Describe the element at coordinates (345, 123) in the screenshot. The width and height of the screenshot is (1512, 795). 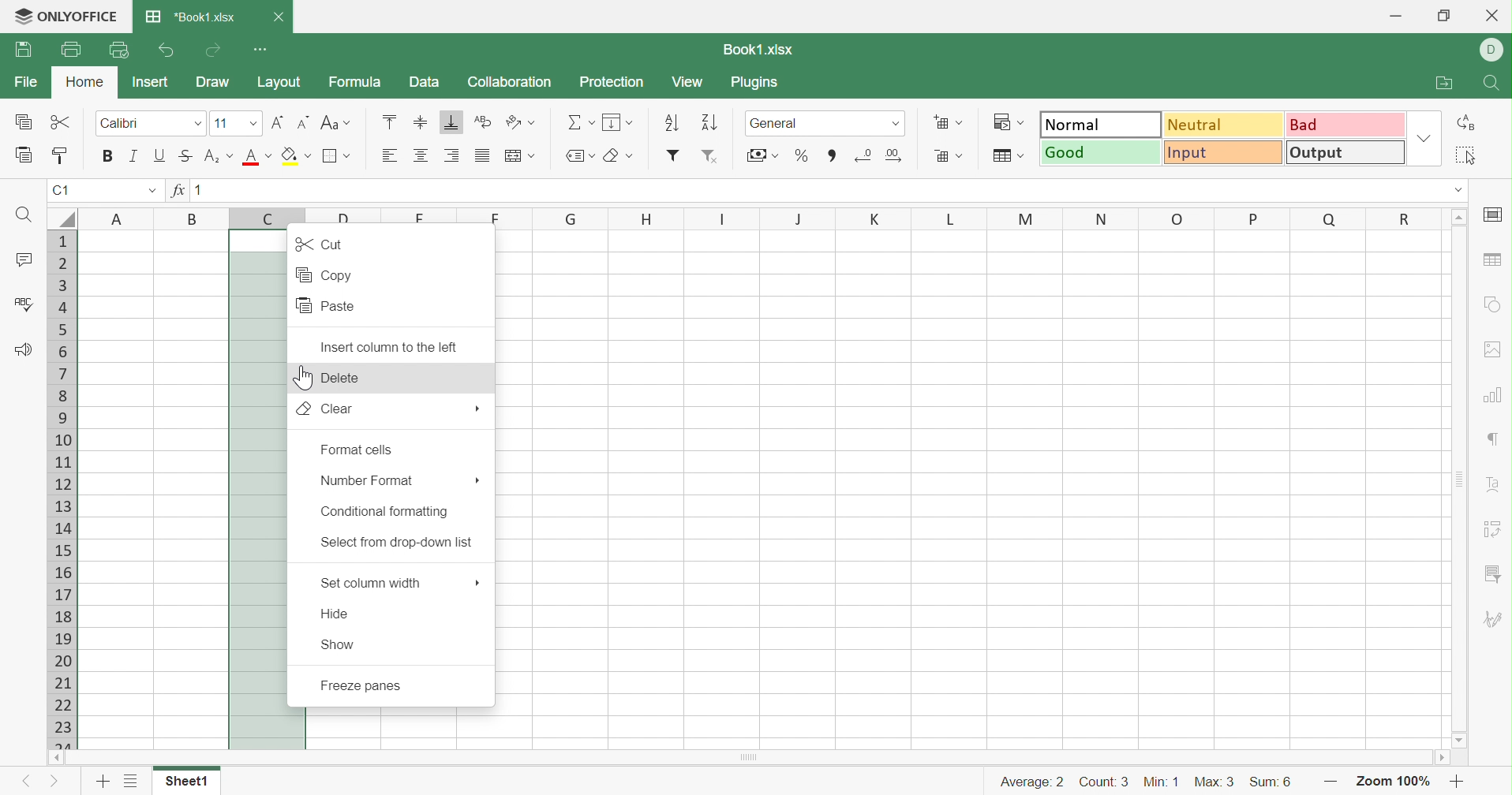
I see `Drop Down` at that location.